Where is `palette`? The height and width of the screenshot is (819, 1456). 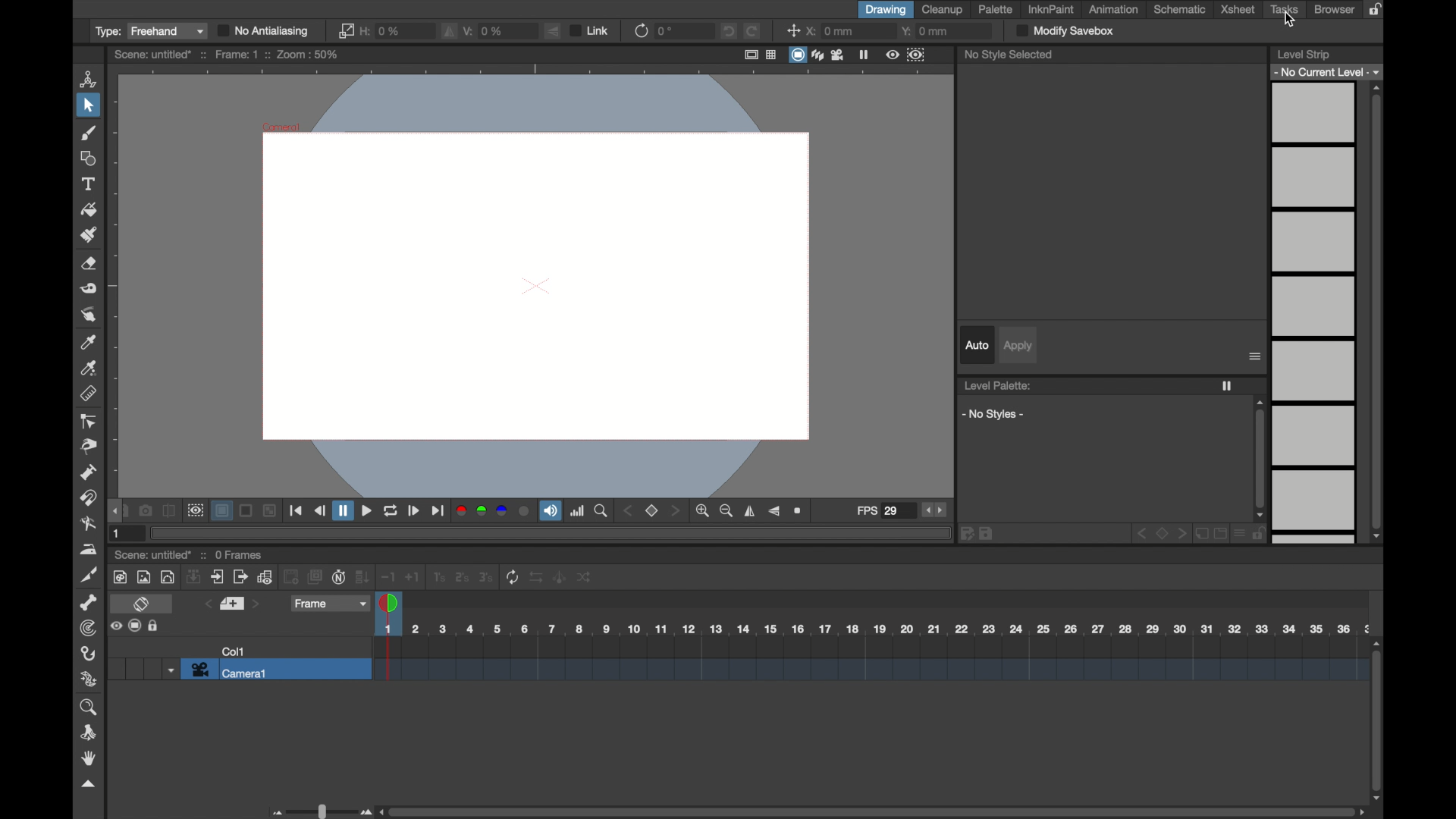 palette is located at coordinates (996, 10).